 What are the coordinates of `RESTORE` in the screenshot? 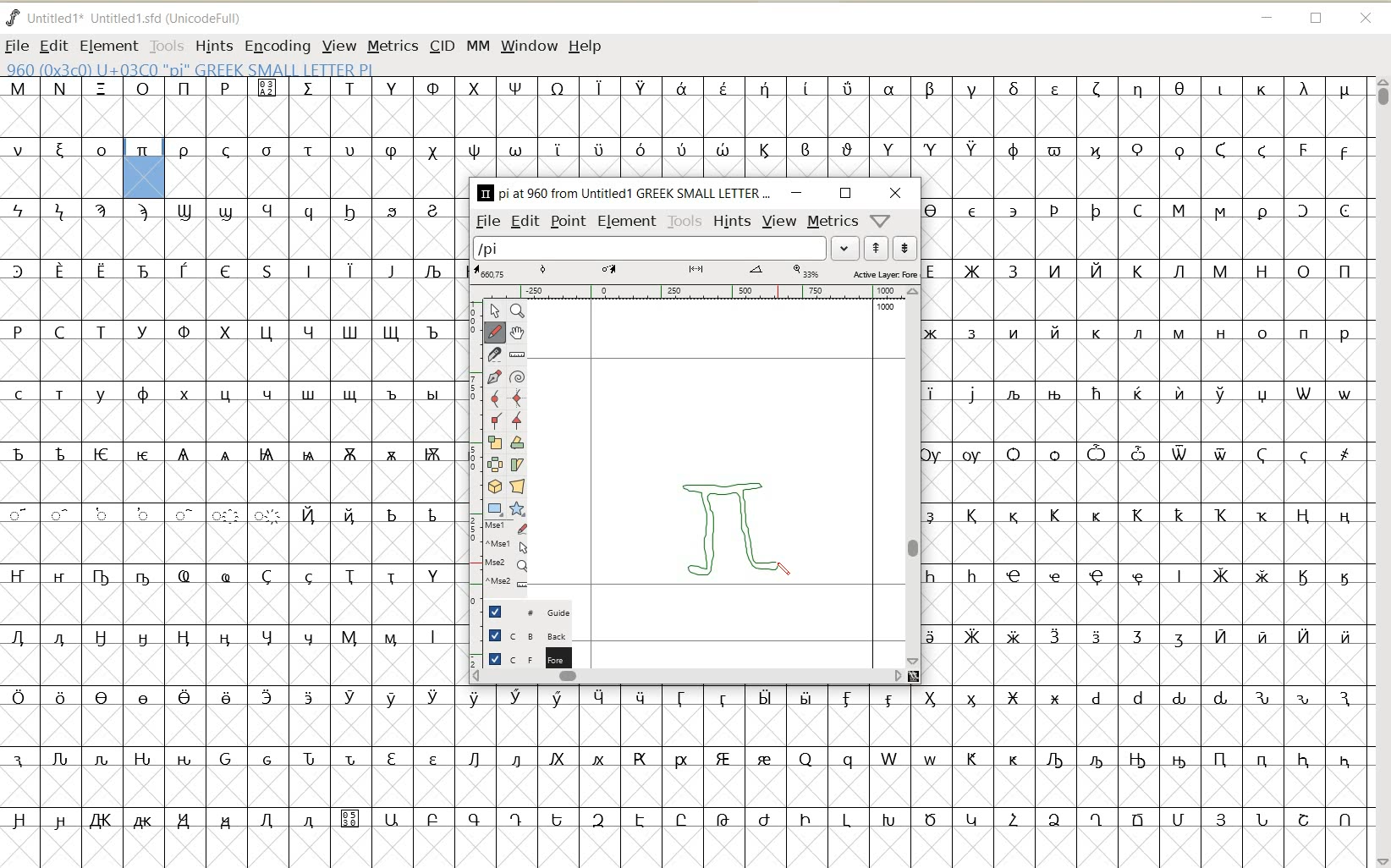 It's located at (1317, 19).